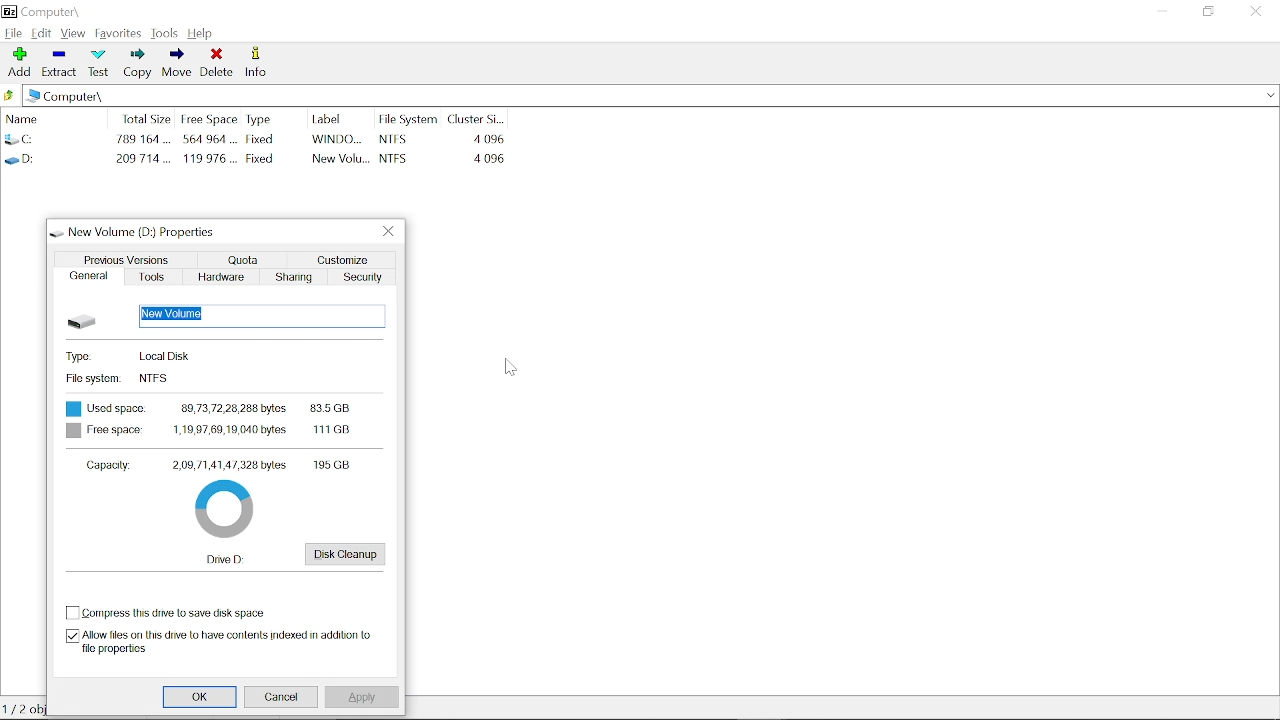  What do you see at coordinates (54, 140) in the screenshot?
I see `C :` at bounding box center [54, 140].